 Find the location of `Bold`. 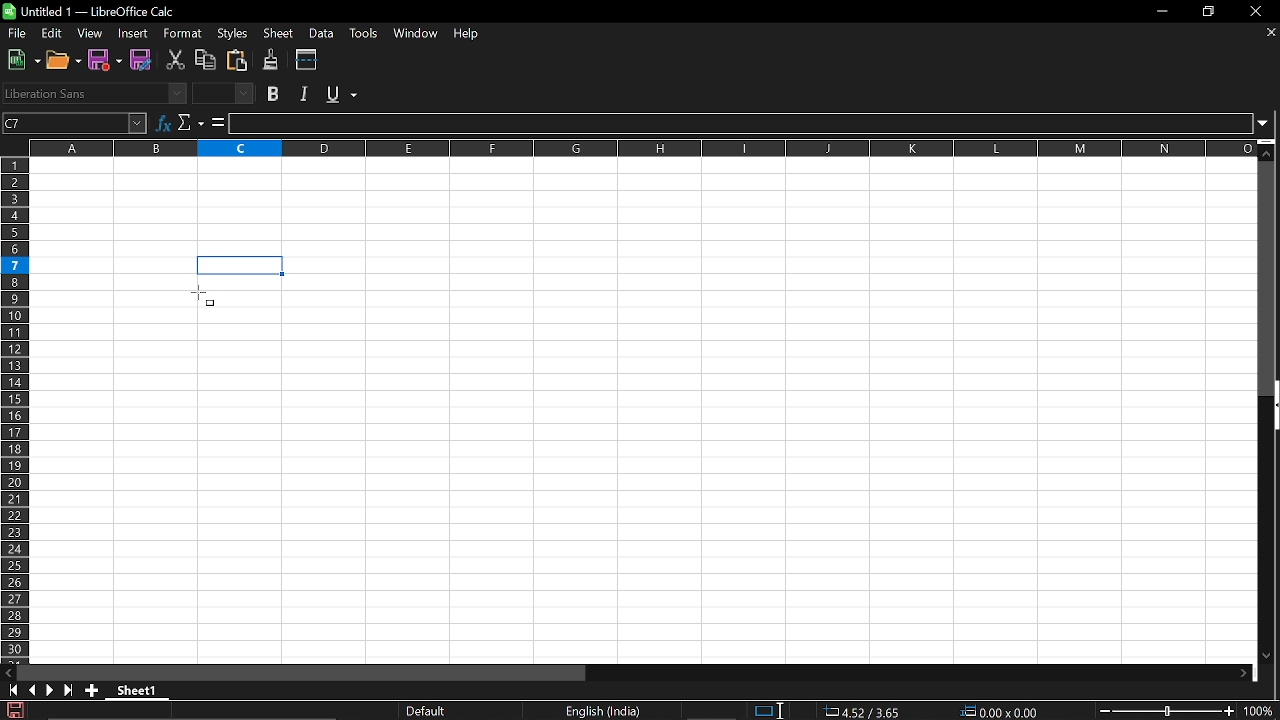

Bold is located at coordinates (274, 94).